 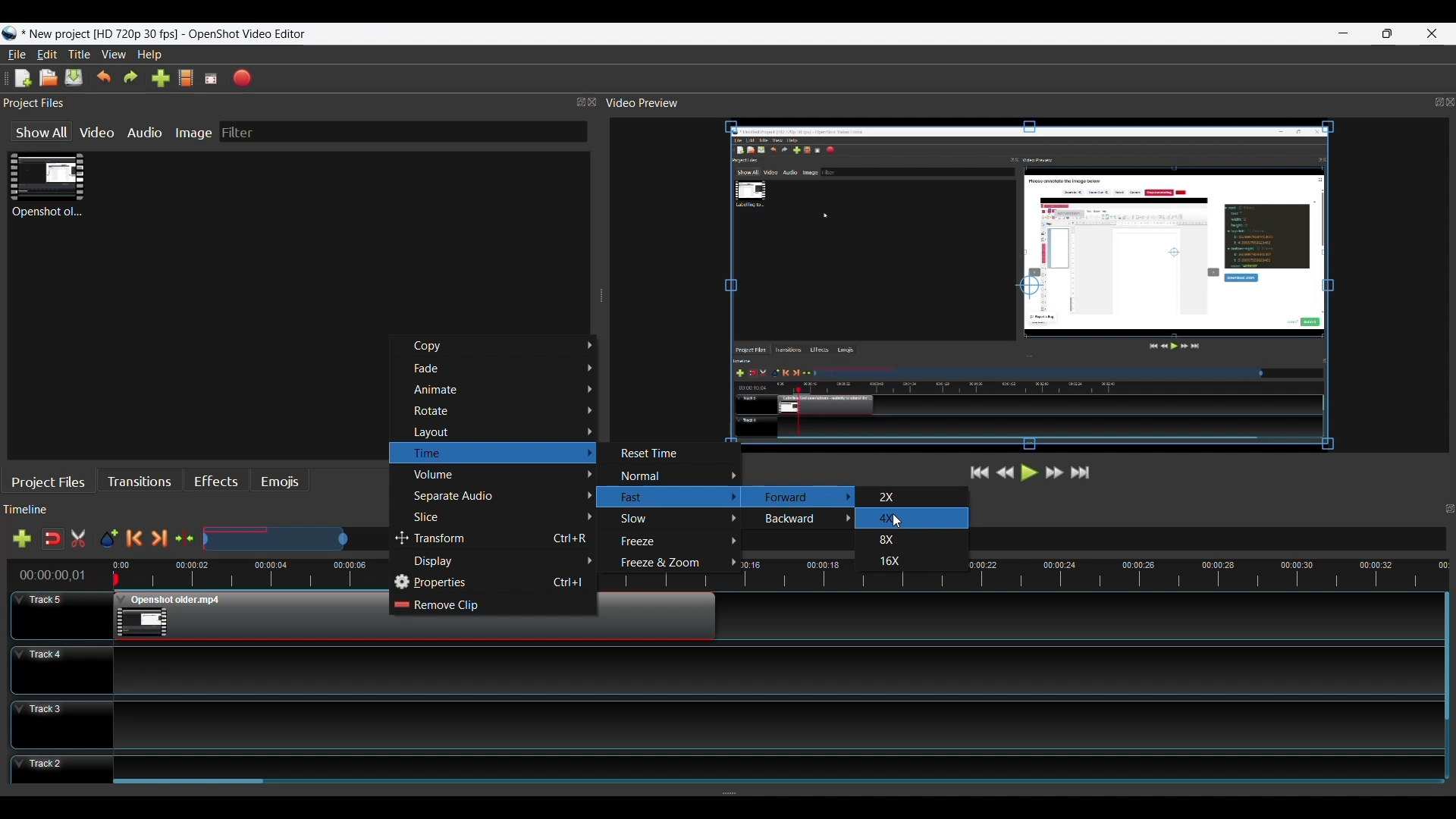 What do you see at coordinates (673, 563) in the screenshot?
I see `Freeze & Zoom` at bounding box center [673, 563].